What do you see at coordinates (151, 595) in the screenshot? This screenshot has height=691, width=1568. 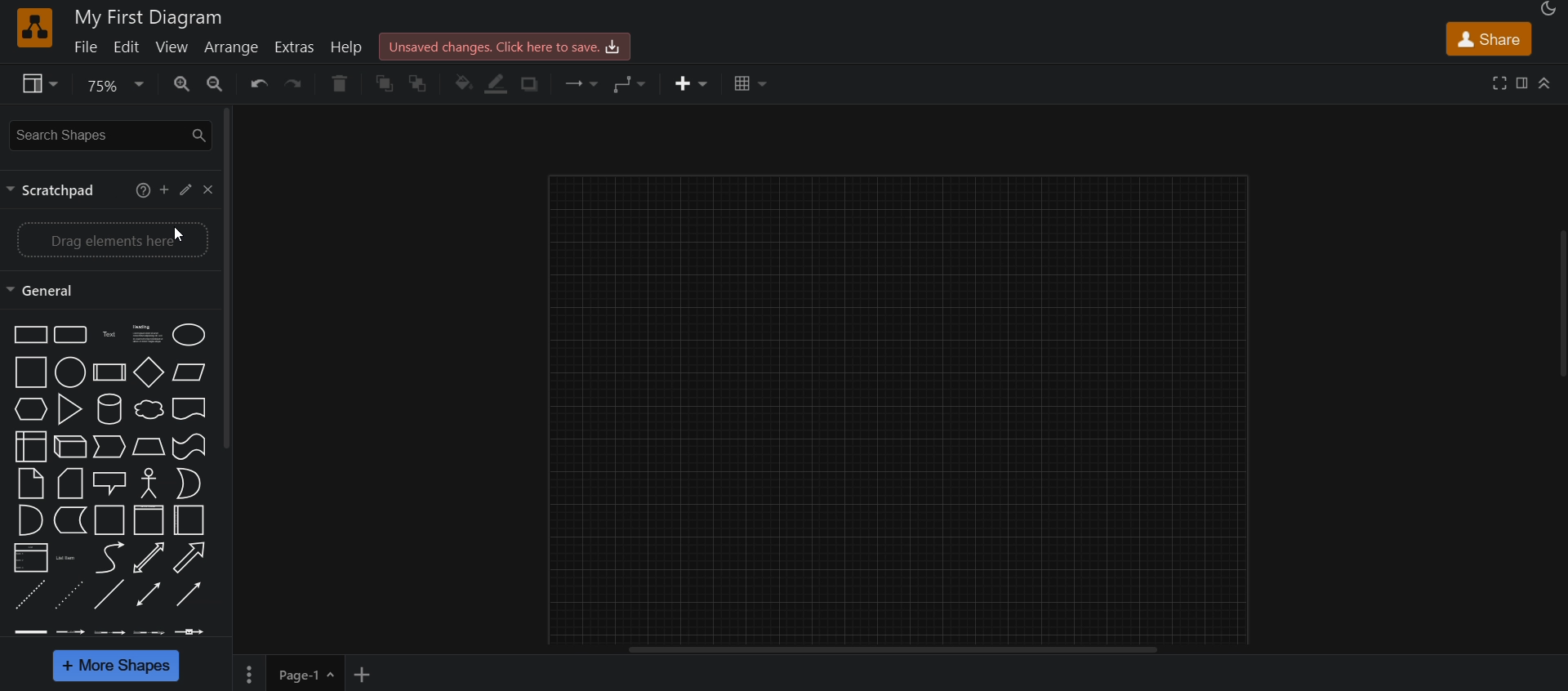 I see `two pages` at bounding box center [151, 595].